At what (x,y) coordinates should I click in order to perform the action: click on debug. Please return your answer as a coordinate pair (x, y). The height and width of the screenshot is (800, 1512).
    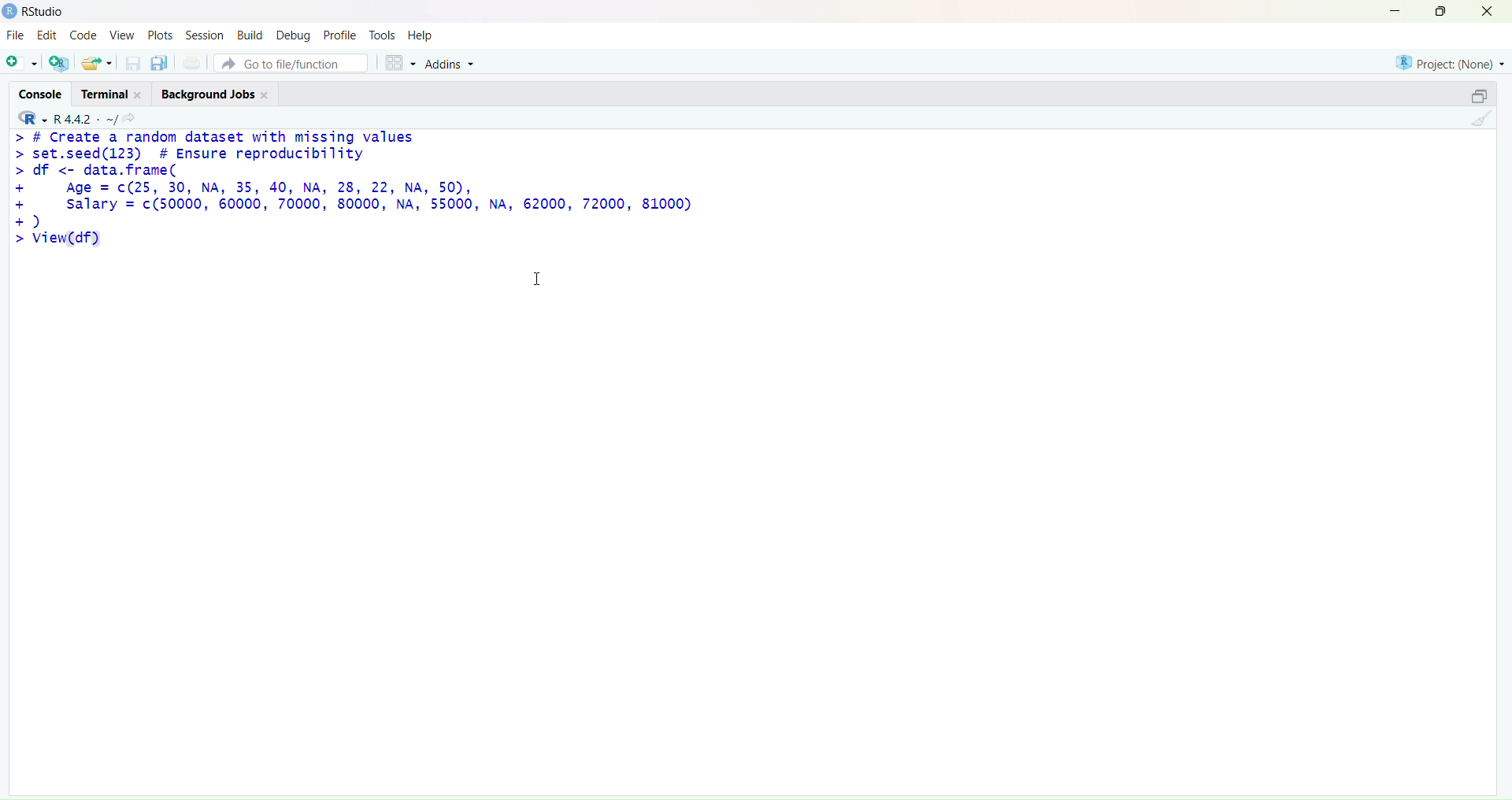
    Looking at the image, I should click on (291, 36).